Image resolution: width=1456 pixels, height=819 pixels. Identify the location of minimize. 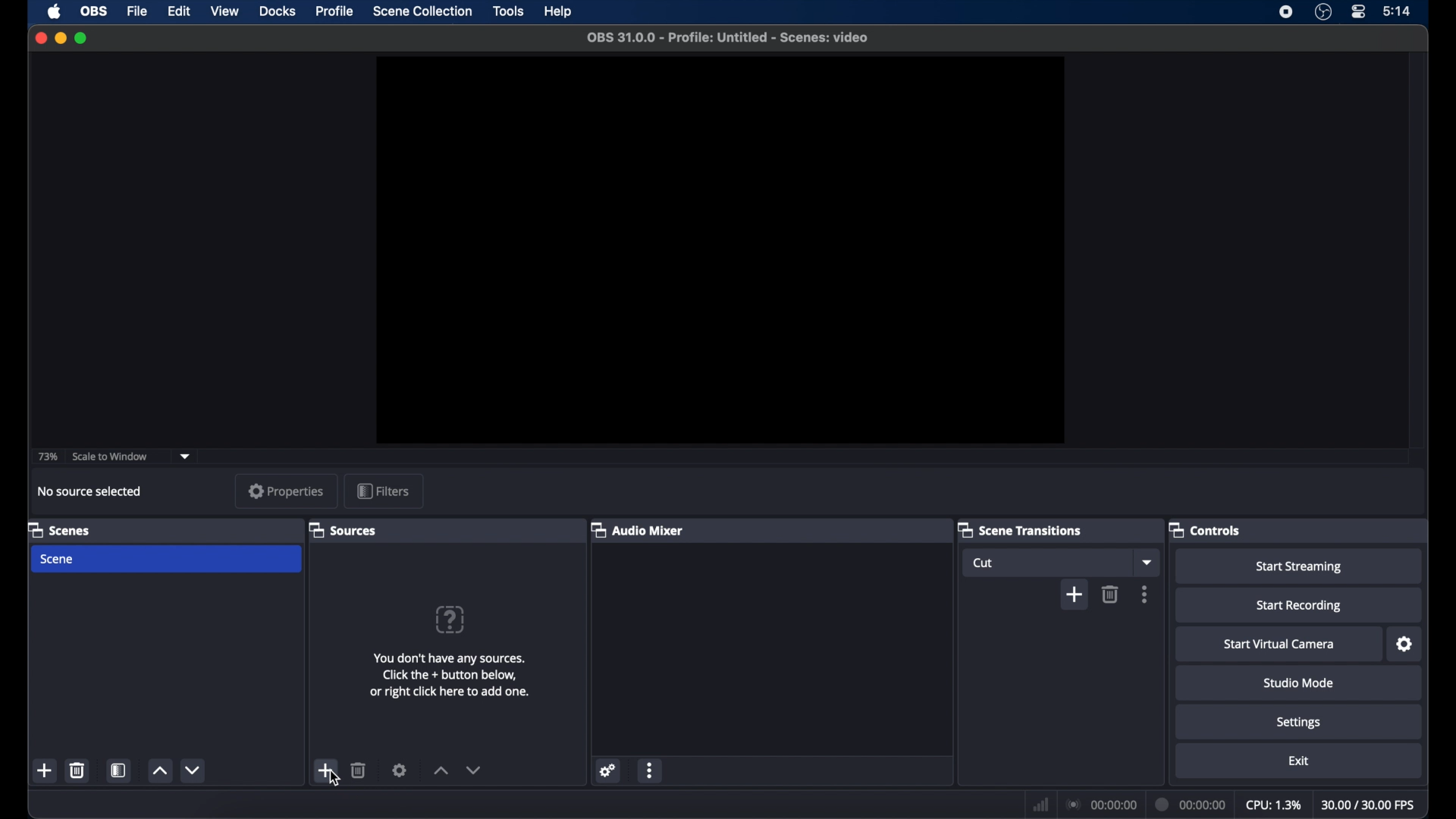
(61, 38).